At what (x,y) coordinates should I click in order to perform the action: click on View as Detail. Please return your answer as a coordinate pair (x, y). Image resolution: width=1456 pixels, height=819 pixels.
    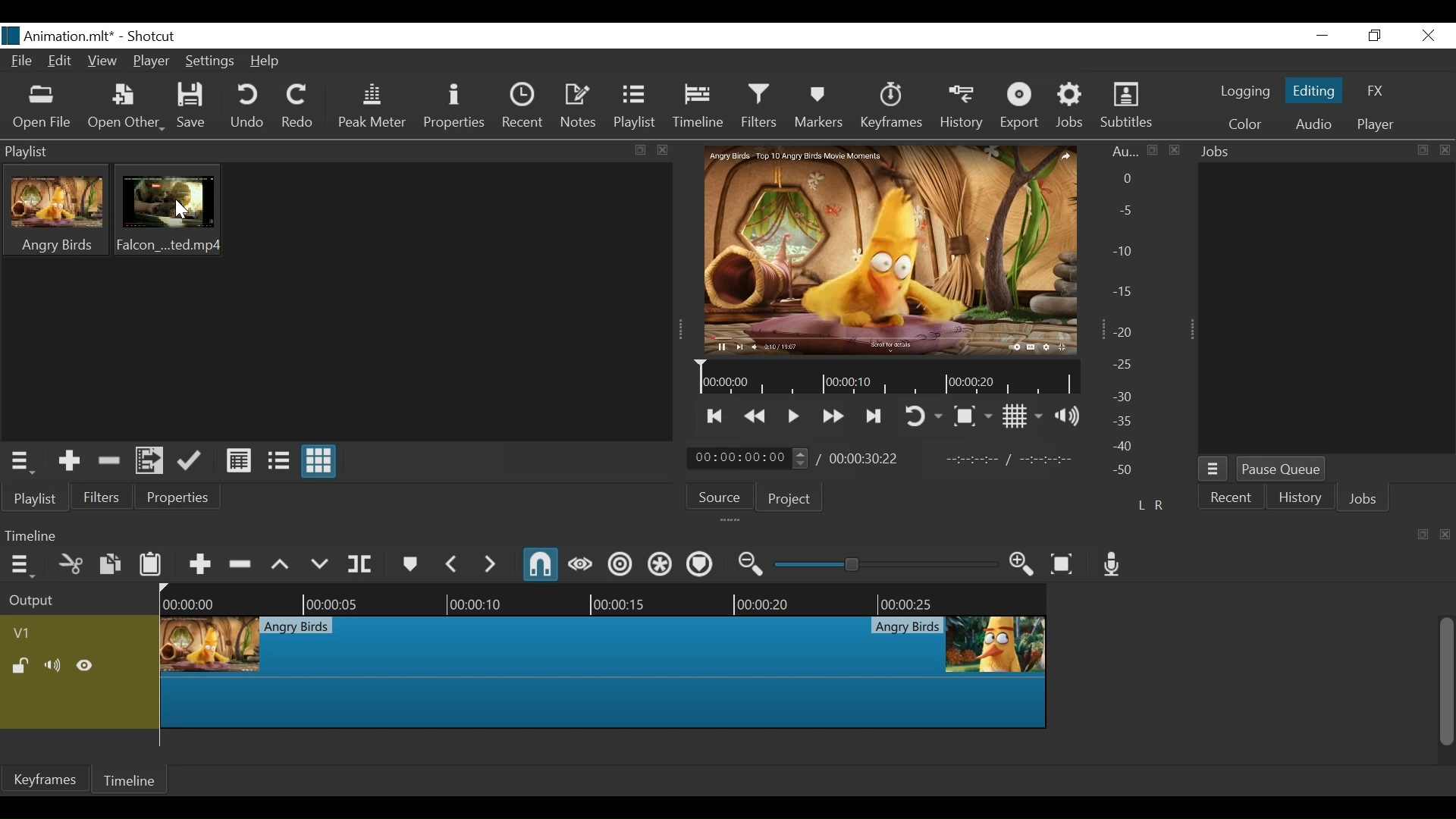
    Looking at the image, I should click on (238, 462).